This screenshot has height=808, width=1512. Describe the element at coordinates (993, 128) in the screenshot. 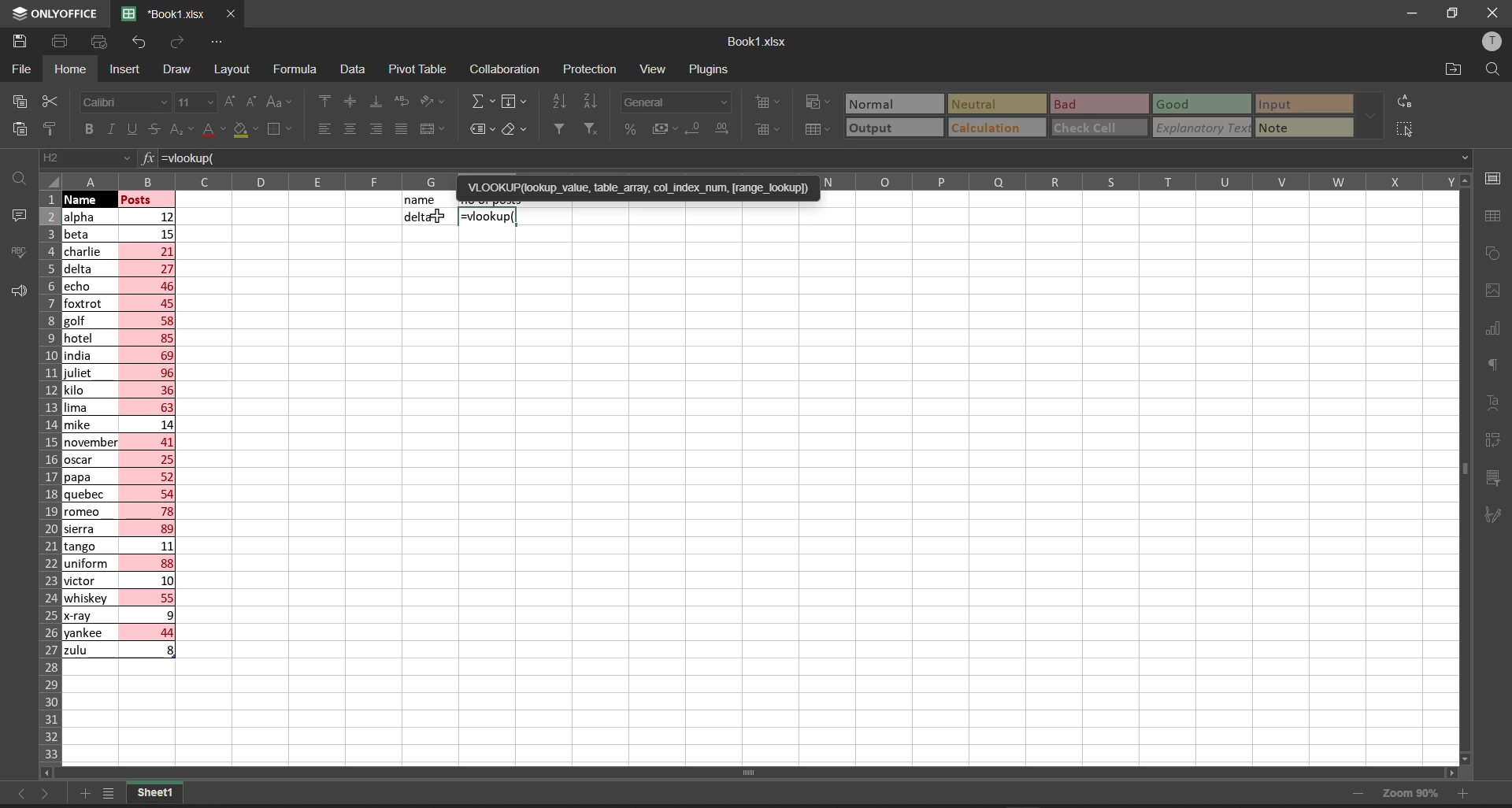

I see `calculation` at that location.